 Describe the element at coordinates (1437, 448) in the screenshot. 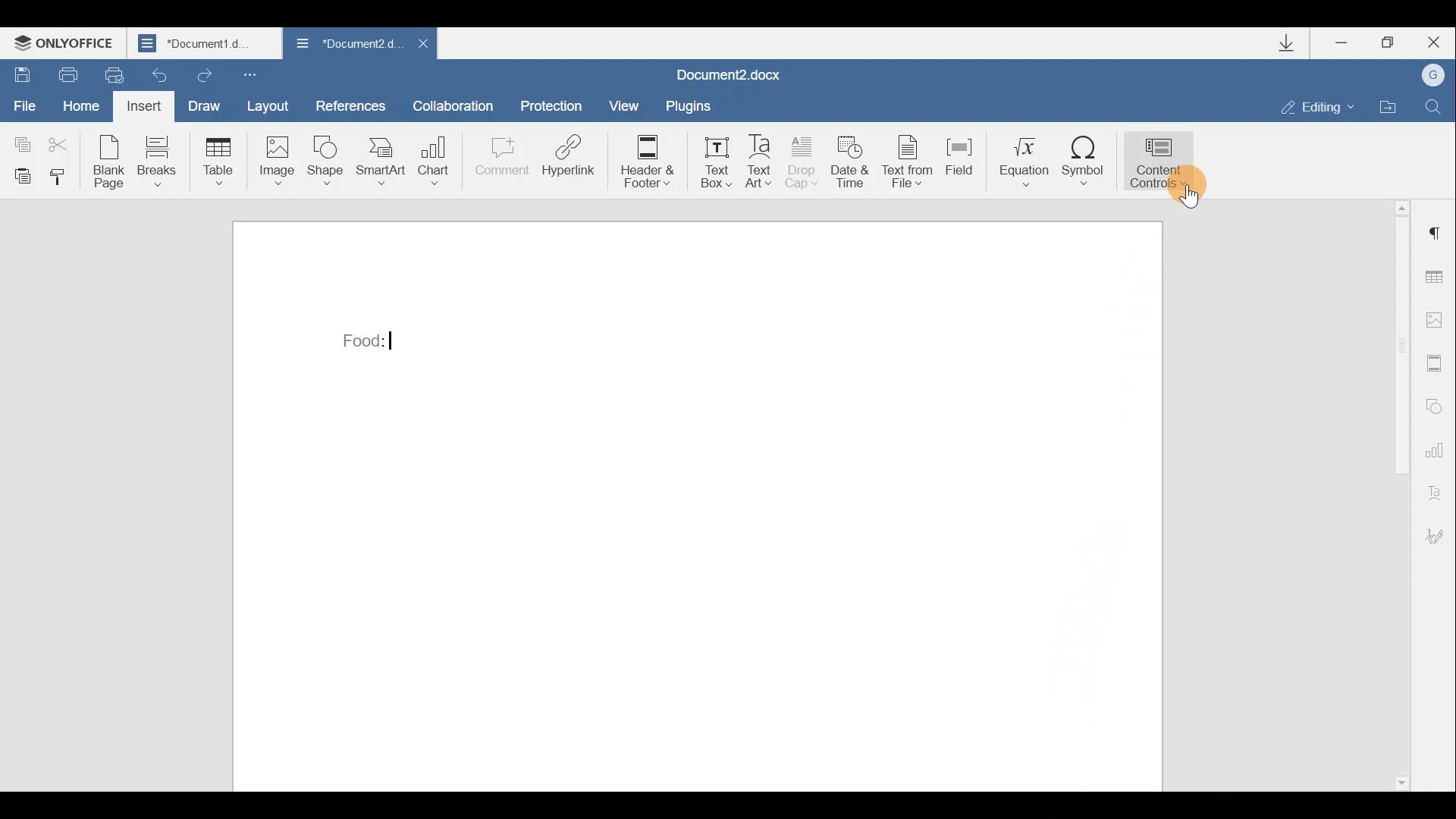

I see `Chart settings` at that location.